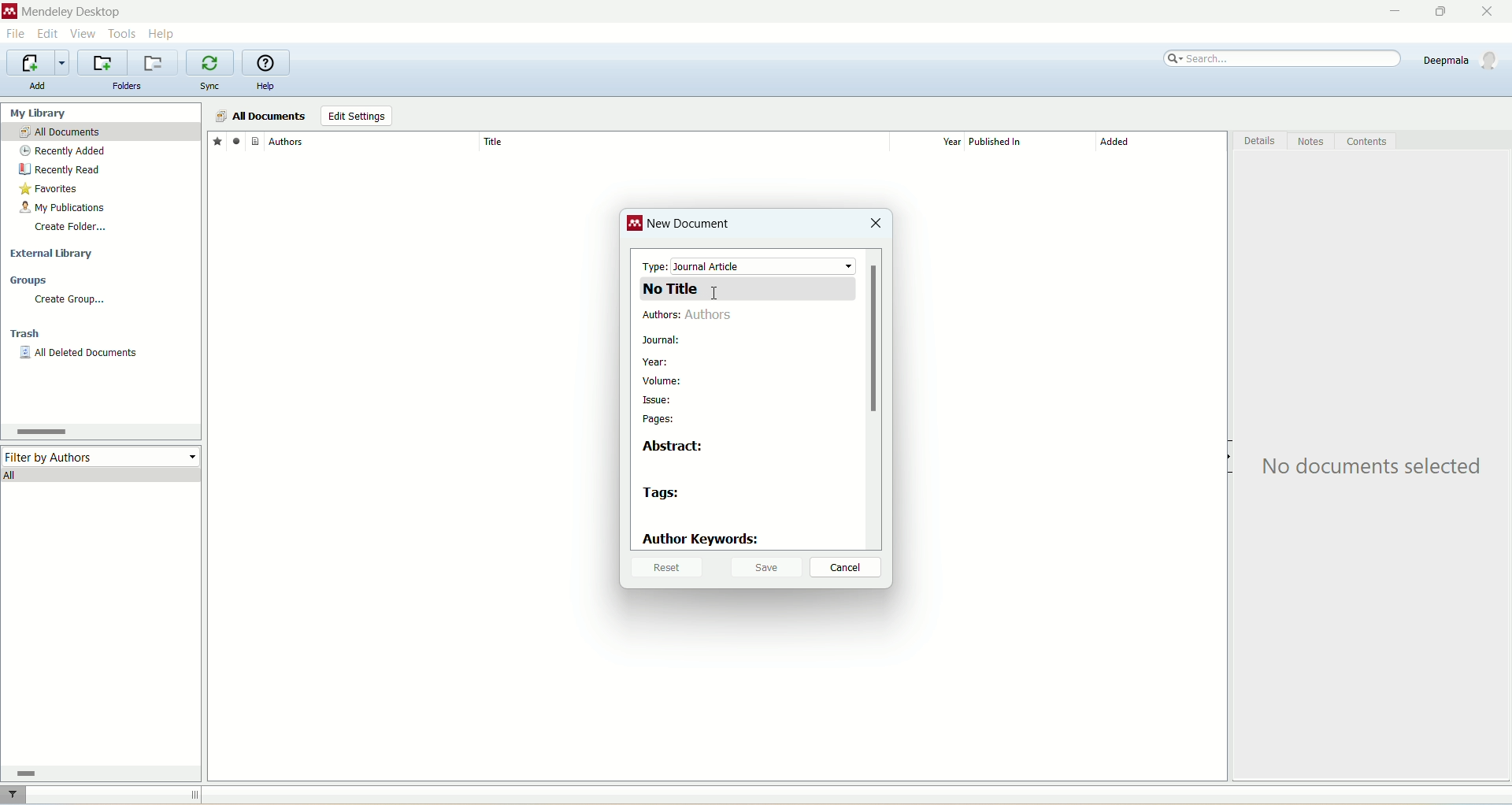 This screenshot has width=1512, height=805. I want to click on file, so click(15, 35).